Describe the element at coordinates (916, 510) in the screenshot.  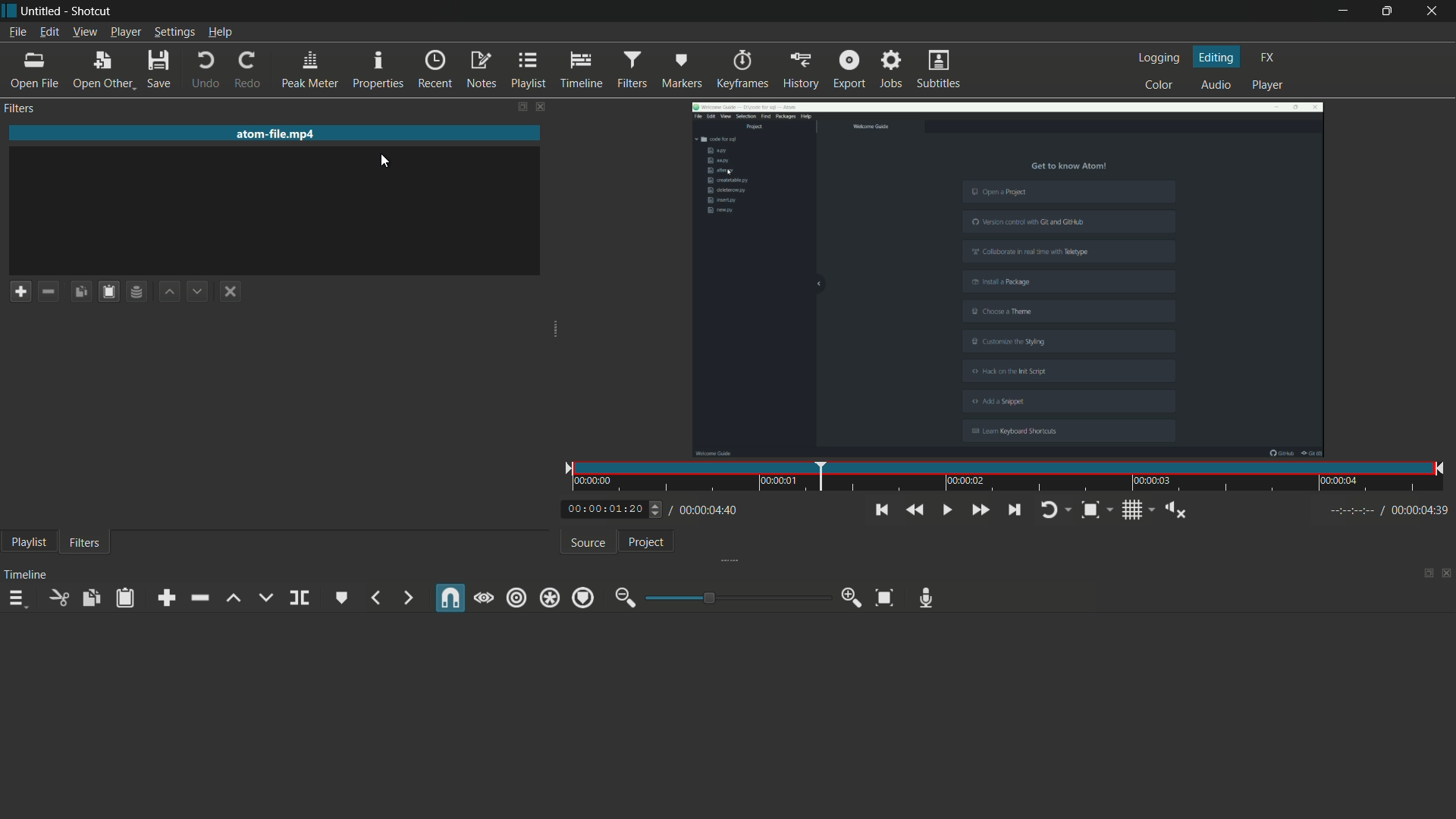
I see `quickly play backward` at that location.